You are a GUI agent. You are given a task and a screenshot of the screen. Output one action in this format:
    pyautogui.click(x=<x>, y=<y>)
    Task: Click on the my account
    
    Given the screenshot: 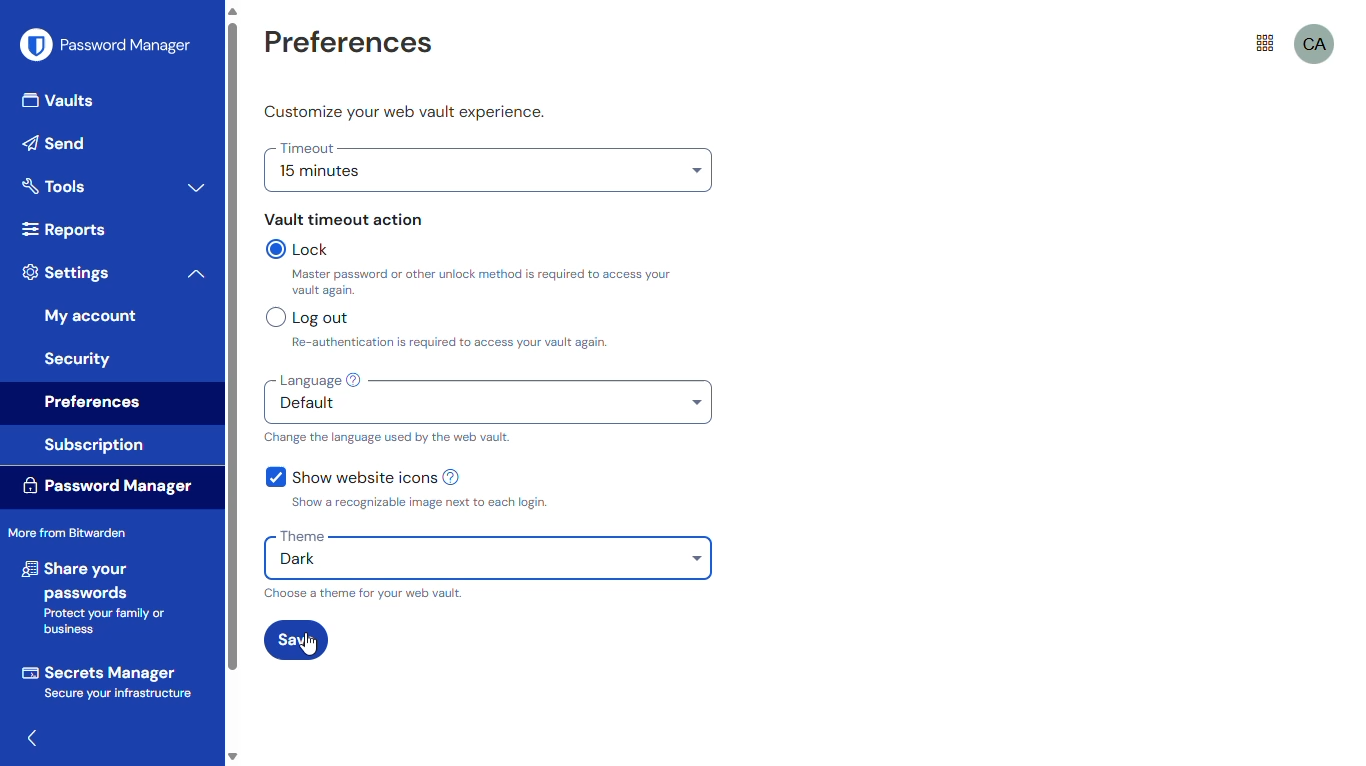 What is the action you would take?
    pyautogui.click(x=91, y=316)
    